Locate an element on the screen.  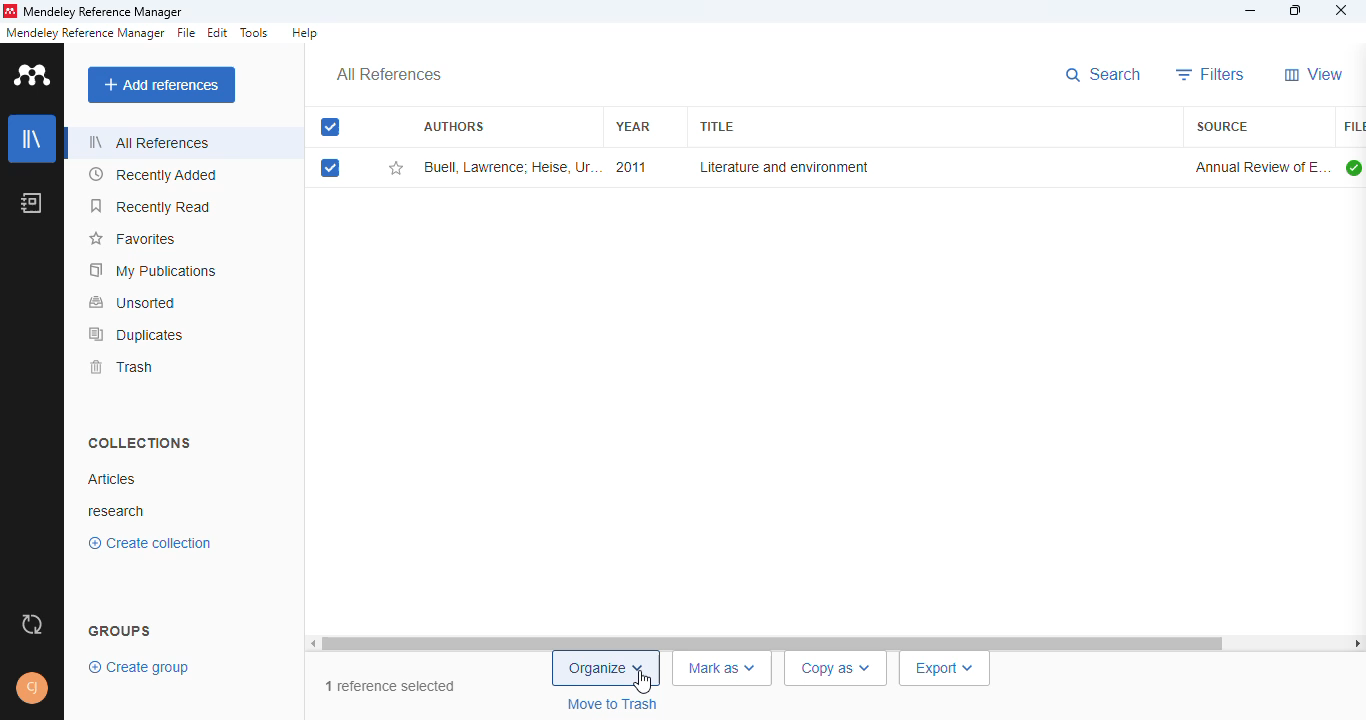
duplicates is located at coordinates (137, 335).